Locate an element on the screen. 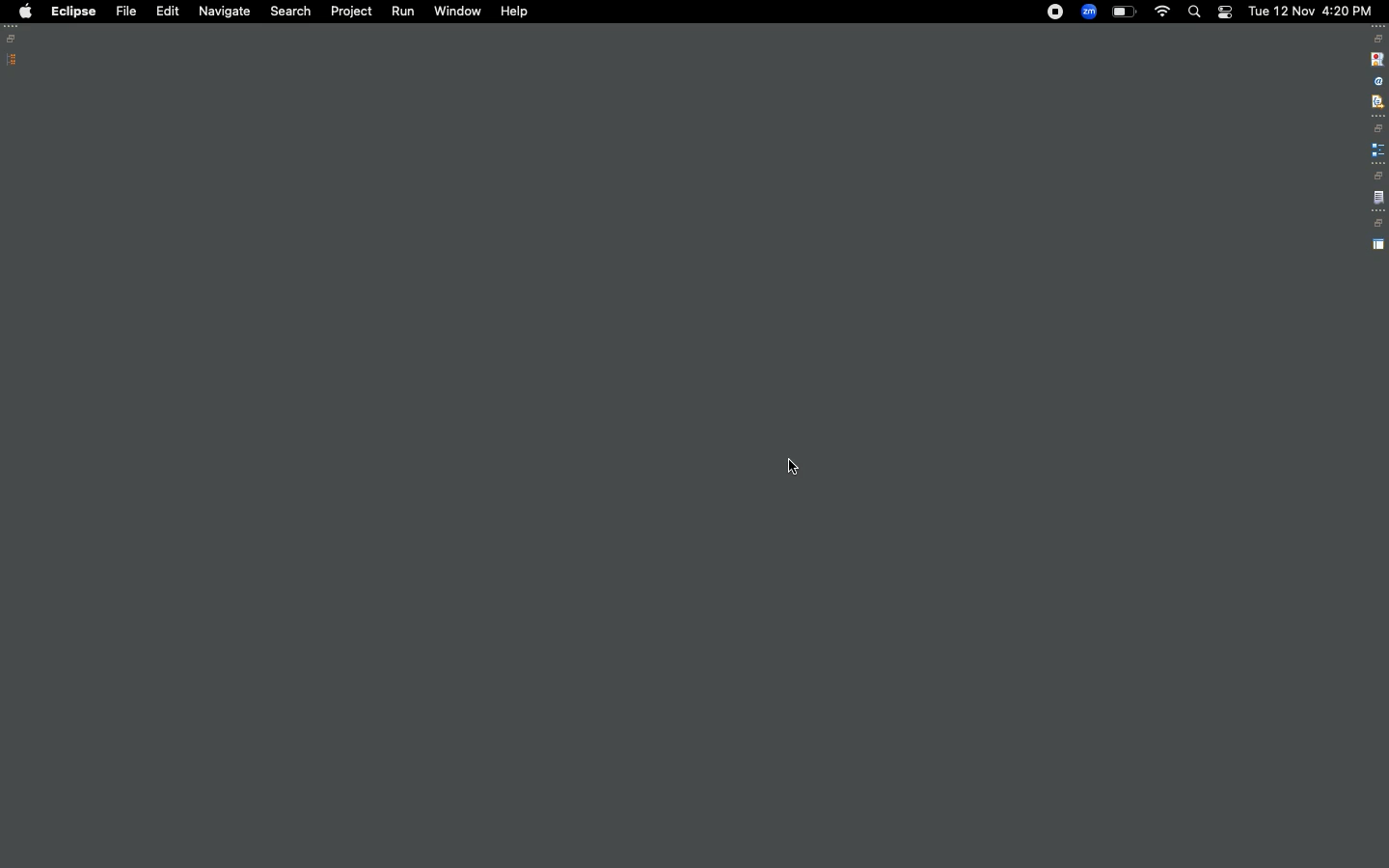 This screenshot has height=868, width=1389. Search is located at coordinates (1193, 12).